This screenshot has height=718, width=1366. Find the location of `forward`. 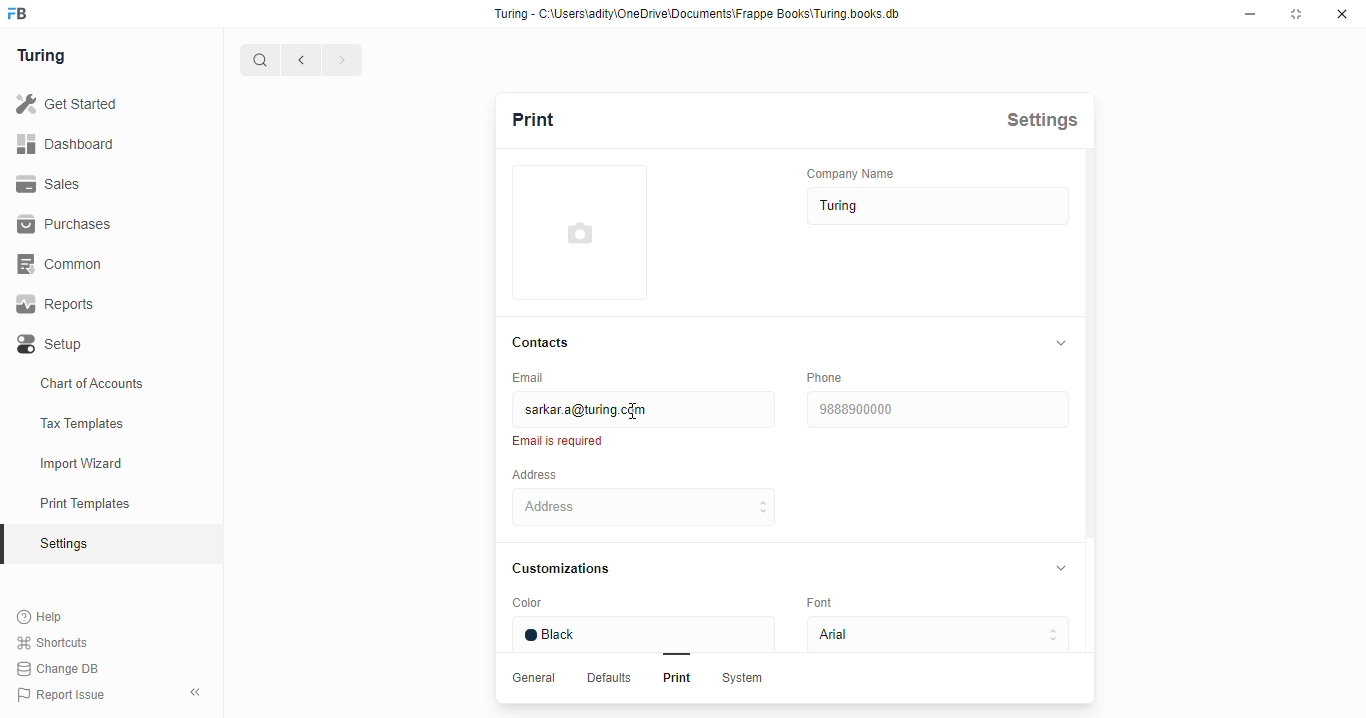

forward is located at coordinates (341, 61).